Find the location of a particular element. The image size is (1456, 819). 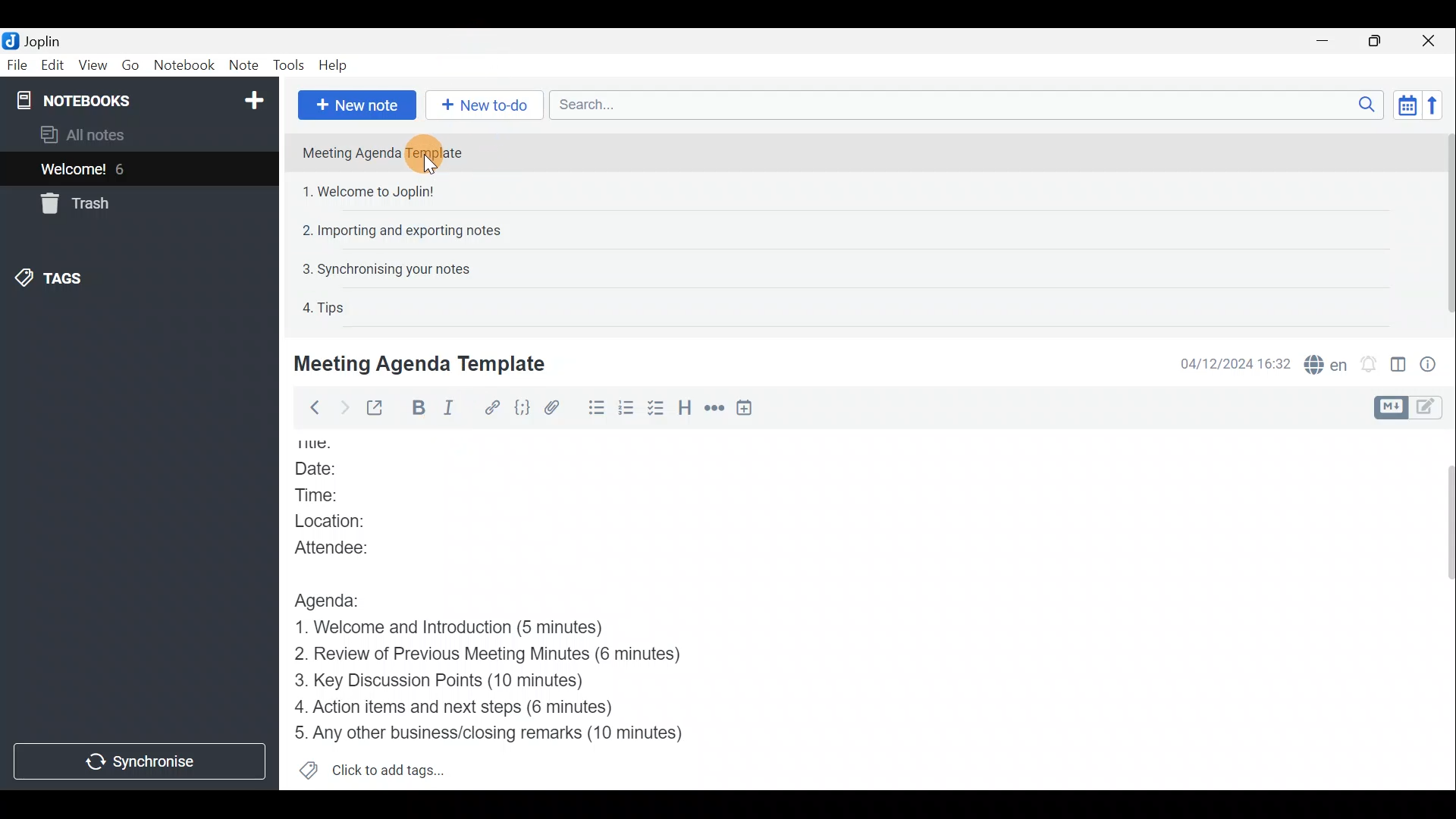

Hyperlink is located at coordinates (494, 407).